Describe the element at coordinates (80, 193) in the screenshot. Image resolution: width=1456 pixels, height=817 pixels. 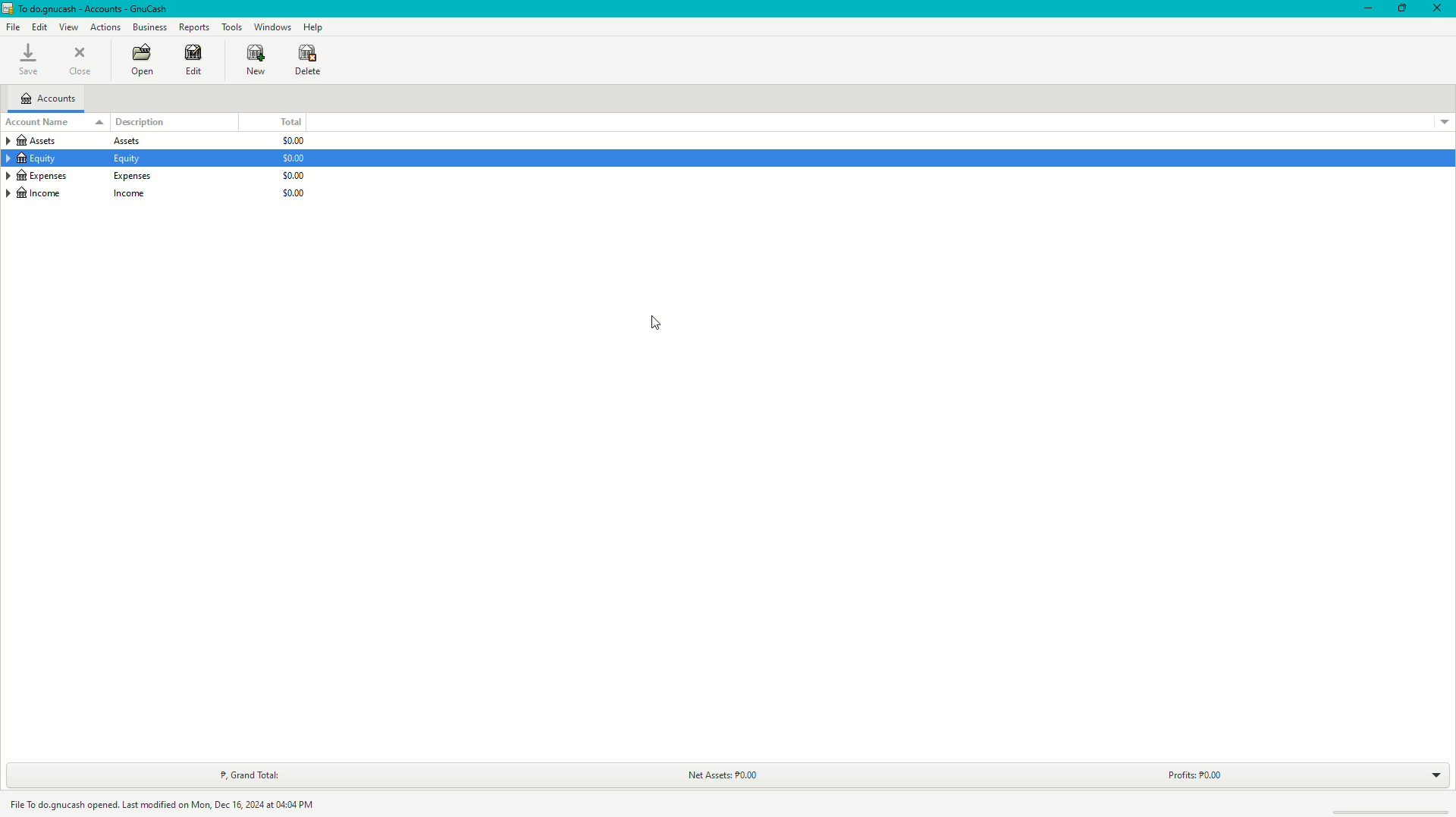
I see `Income` at that location.